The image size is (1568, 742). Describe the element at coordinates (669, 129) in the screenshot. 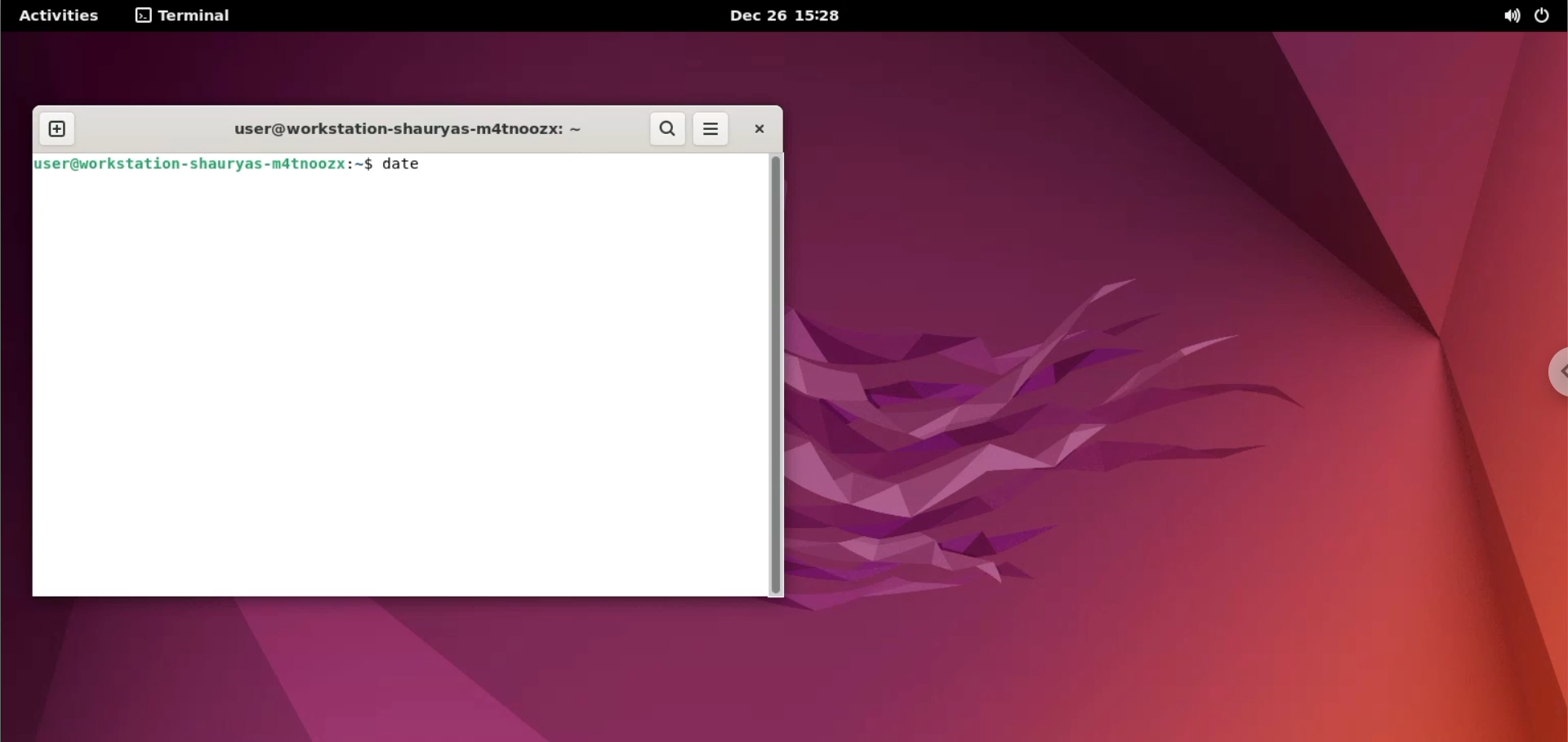

I see `search` at that location.